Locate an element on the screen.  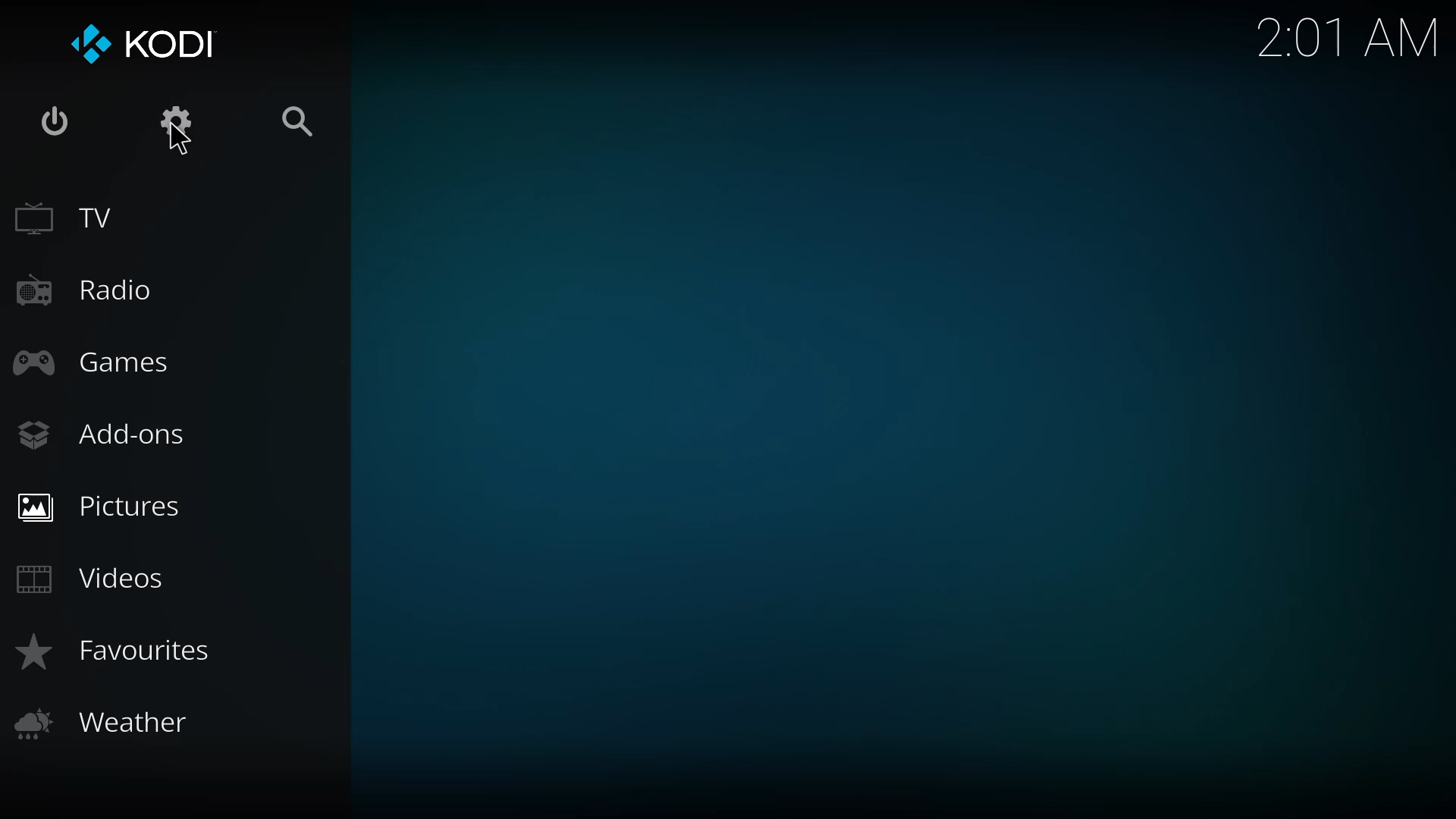
games is located at coordinates (94, 365).